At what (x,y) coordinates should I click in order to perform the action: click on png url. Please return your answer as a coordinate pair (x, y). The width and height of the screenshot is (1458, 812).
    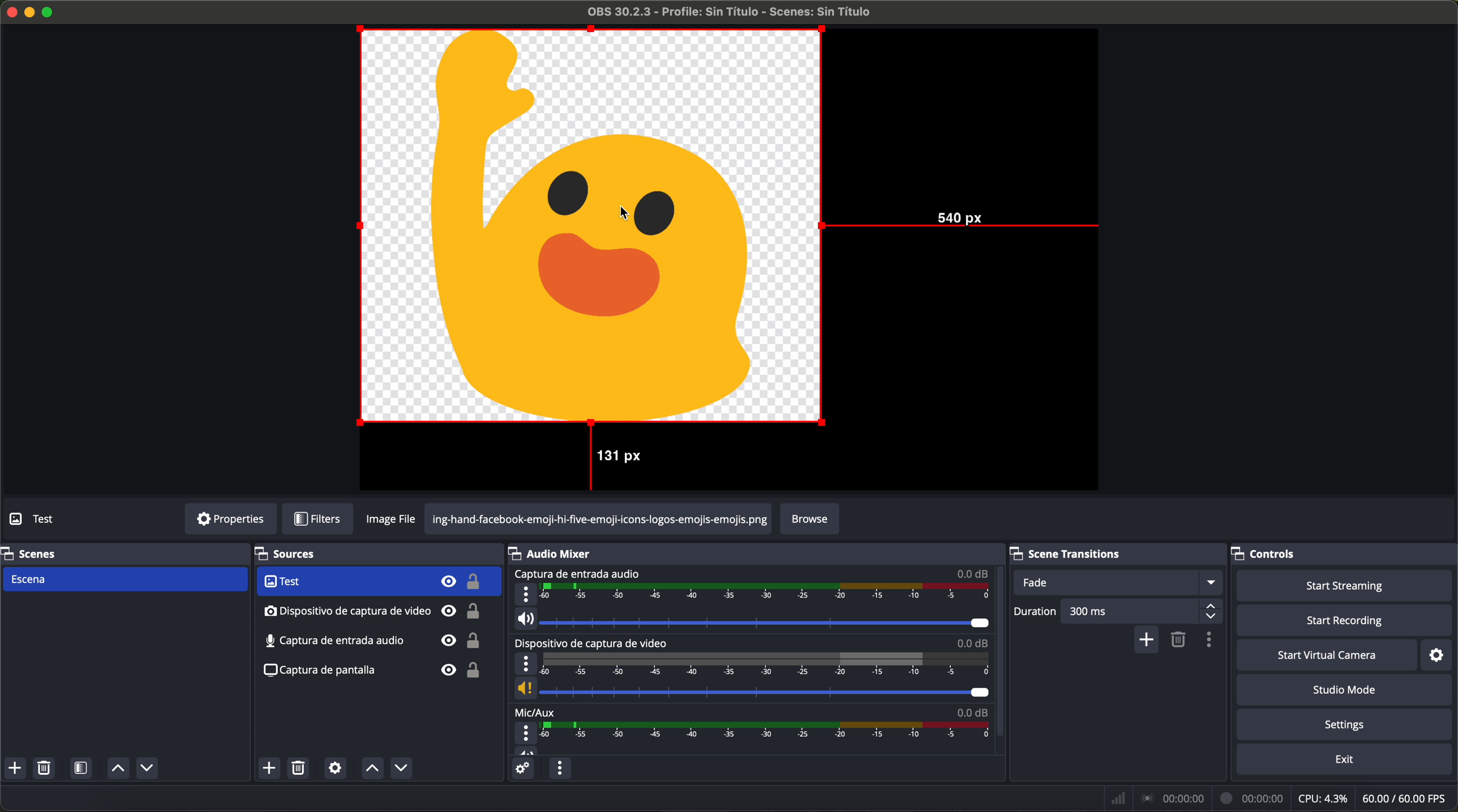
    Looking at the image, I should click on (598, 518).